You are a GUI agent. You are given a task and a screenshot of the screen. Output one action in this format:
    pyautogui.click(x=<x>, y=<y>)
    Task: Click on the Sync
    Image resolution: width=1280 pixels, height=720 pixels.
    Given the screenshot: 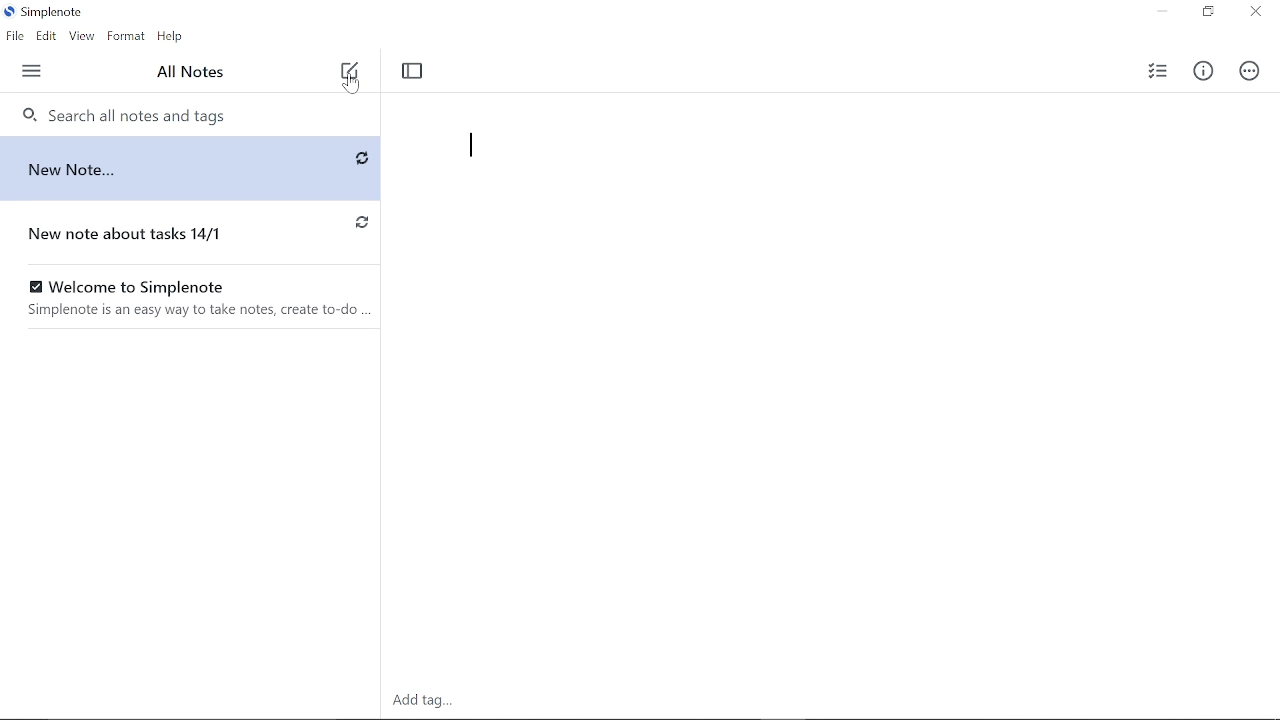 What is the action you would take?
    pyautogui.click(x=361, y=159)
    